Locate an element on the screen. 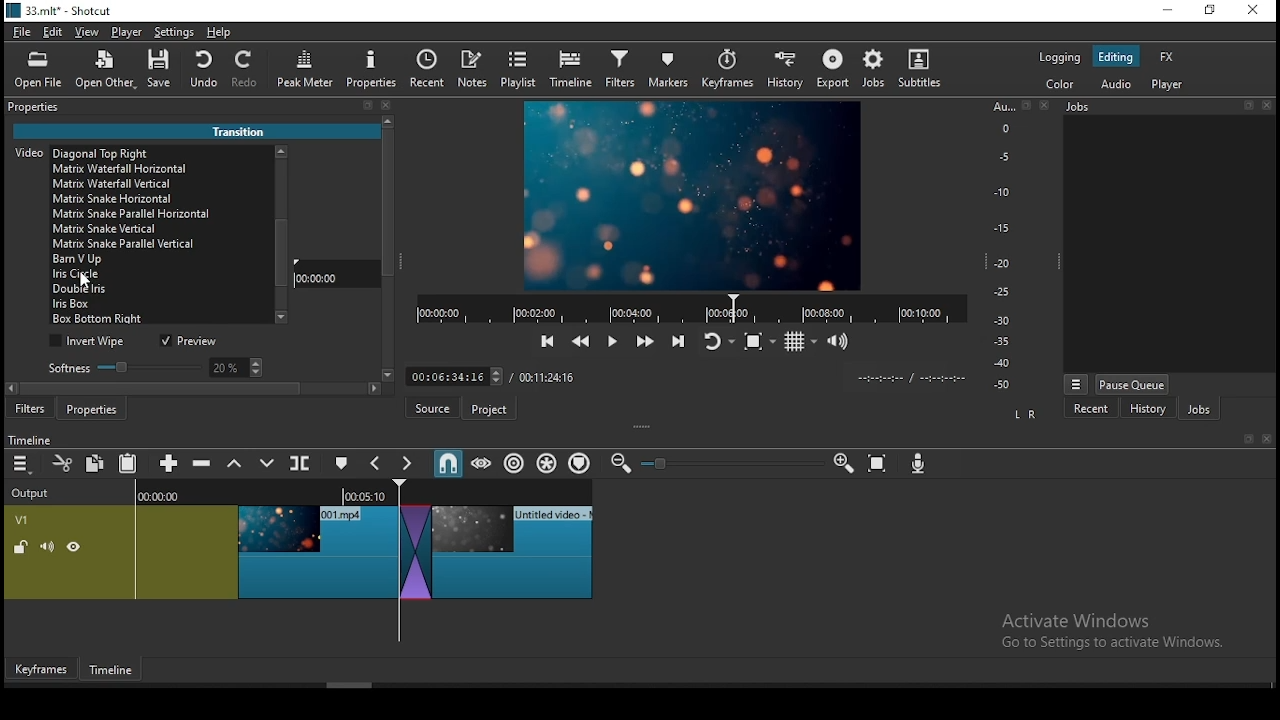 The height and width of the screenshot is (720, 1280). zoom timeline in is located at coordinates (843, 464).